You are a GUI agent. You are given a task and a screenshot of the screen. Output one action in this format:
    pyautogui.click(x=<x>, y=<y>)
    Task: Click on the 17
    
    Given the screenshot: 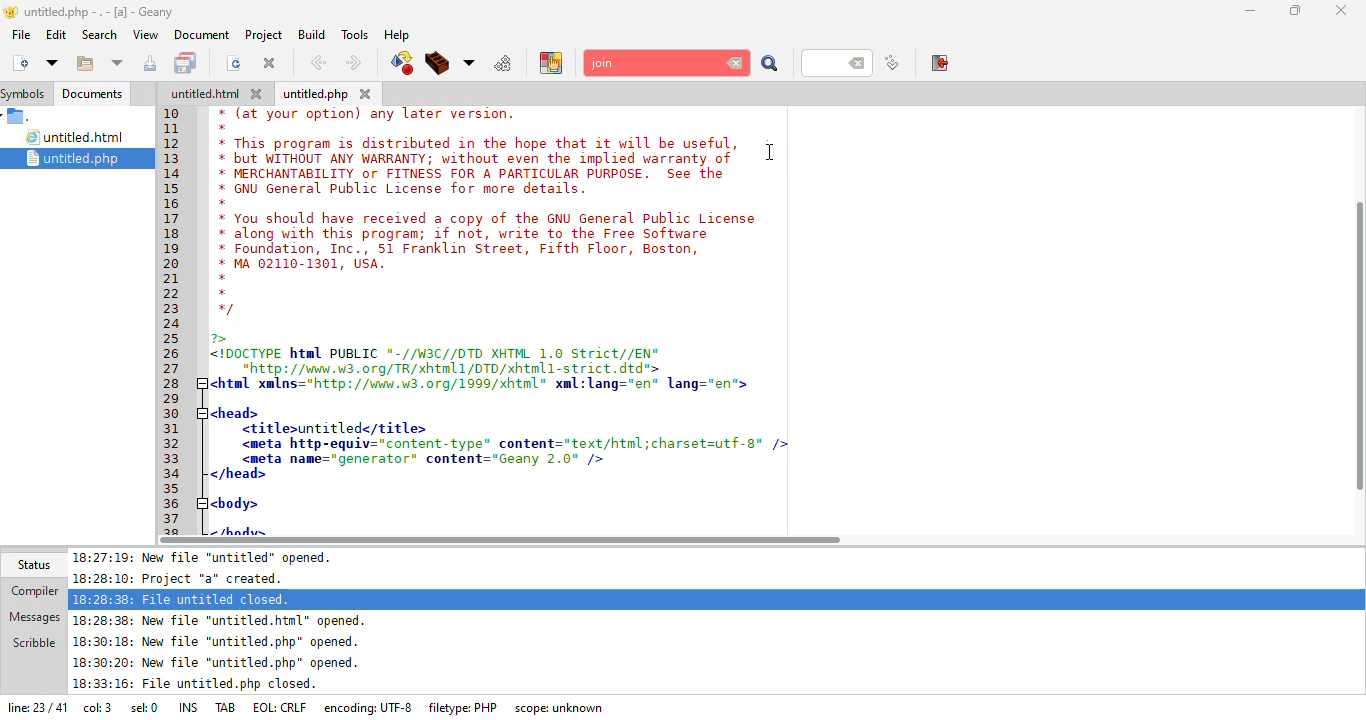 What is the action you would take?
    pyautogui.click(x=172, y=219)
    